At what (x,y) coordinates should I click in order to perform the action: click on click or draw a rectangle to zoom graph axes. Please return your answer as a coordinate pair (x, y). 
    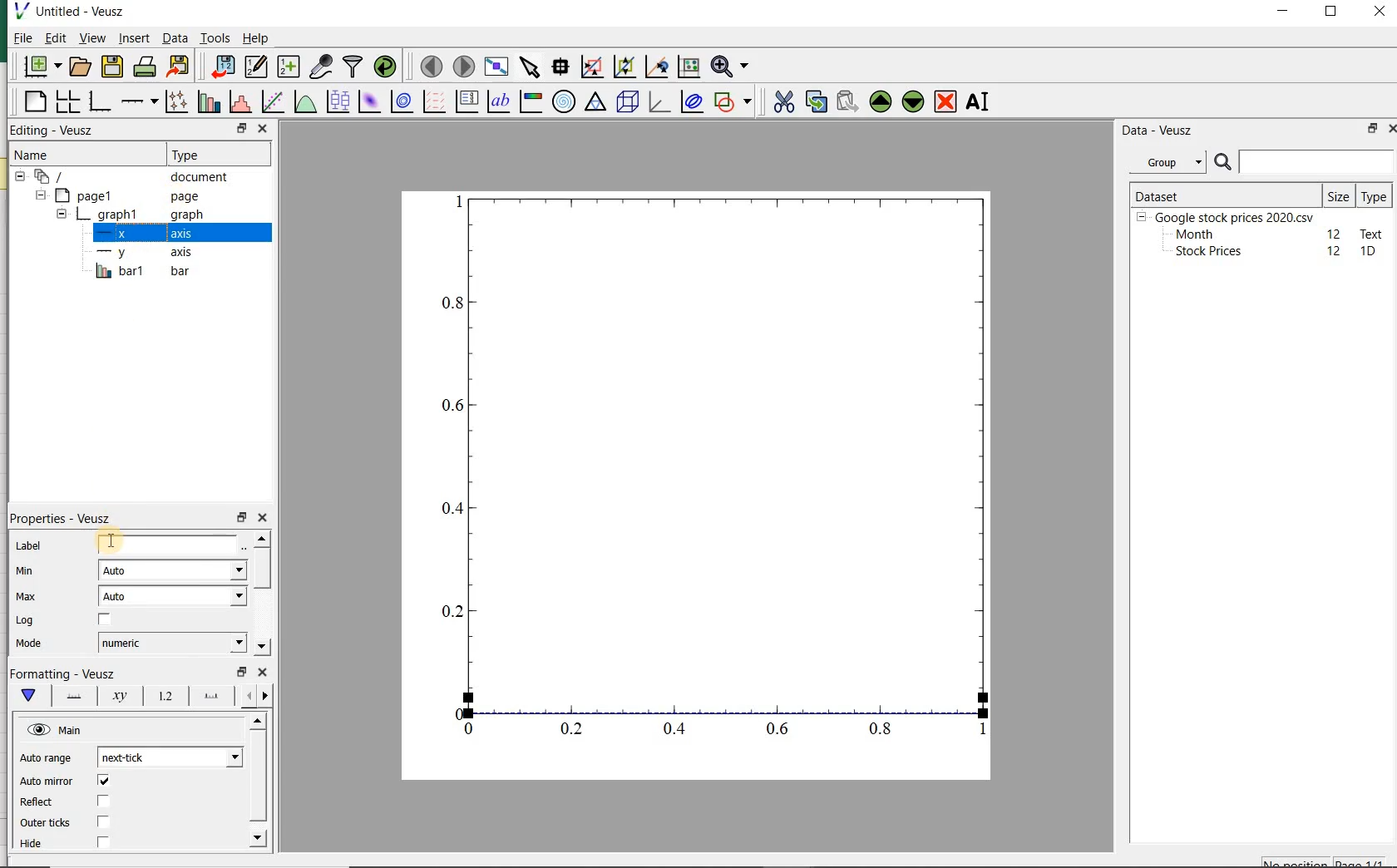
    Looking at the image, I should click on (591, 67).